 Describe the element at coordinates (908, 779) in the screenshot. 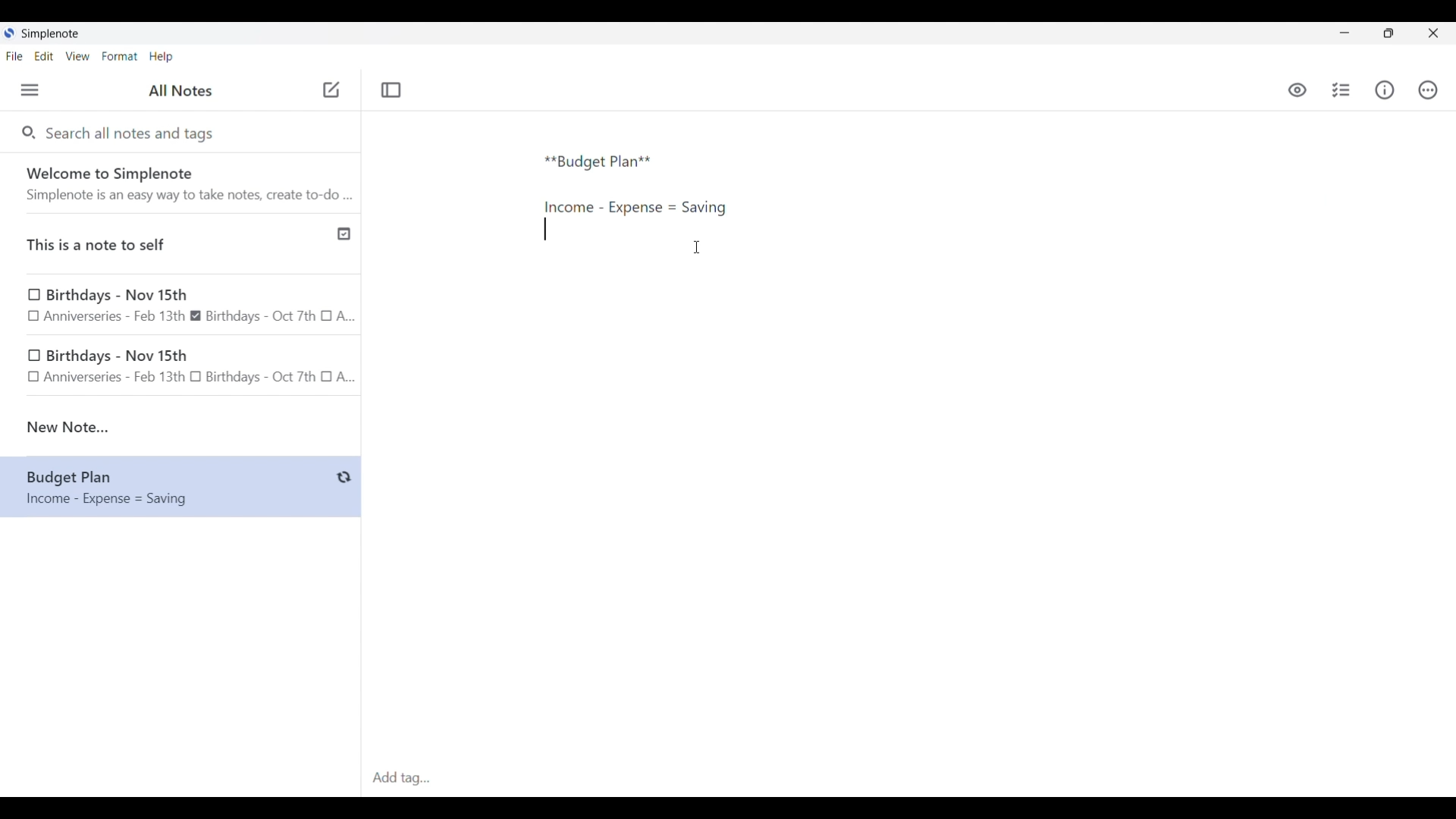

I see `Click to type in tags` at that location.